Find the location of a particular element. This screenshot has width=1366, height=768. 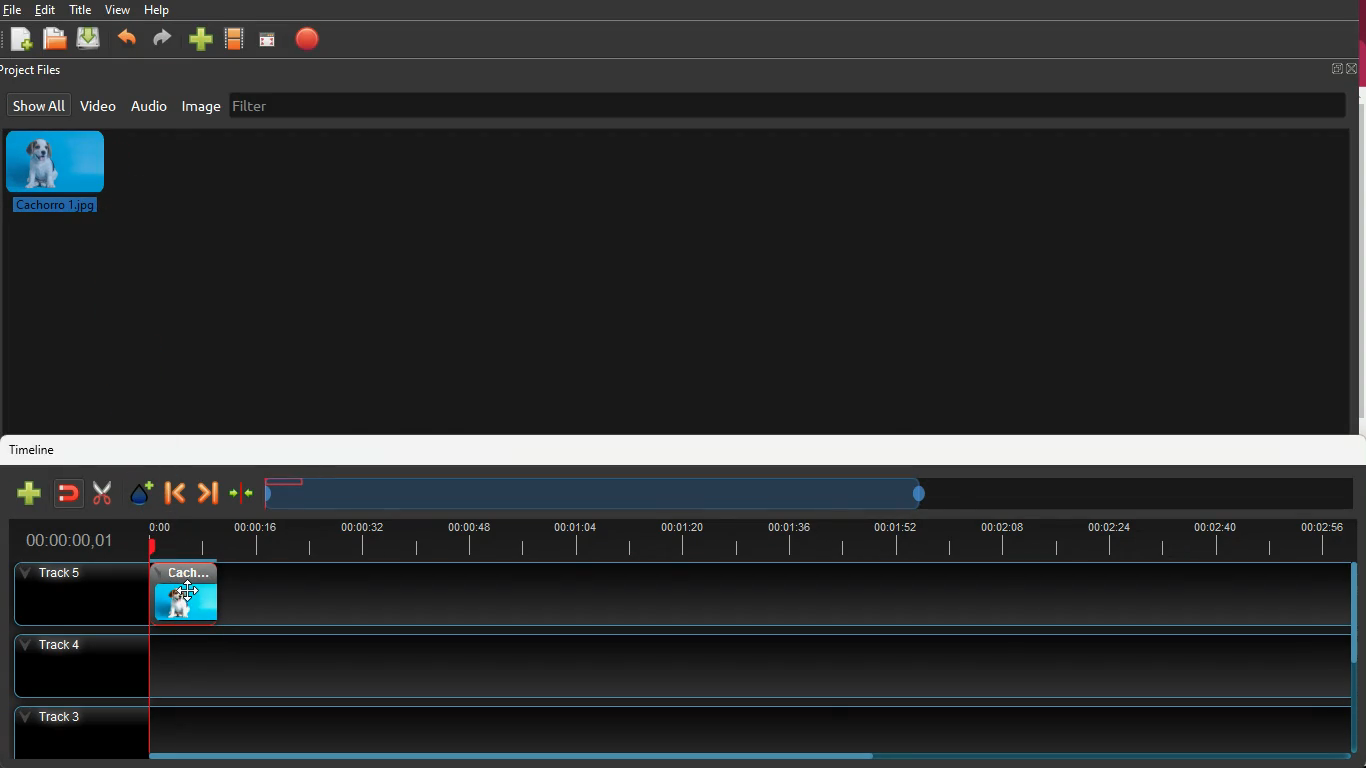

open is located at coordinates (55, 40).